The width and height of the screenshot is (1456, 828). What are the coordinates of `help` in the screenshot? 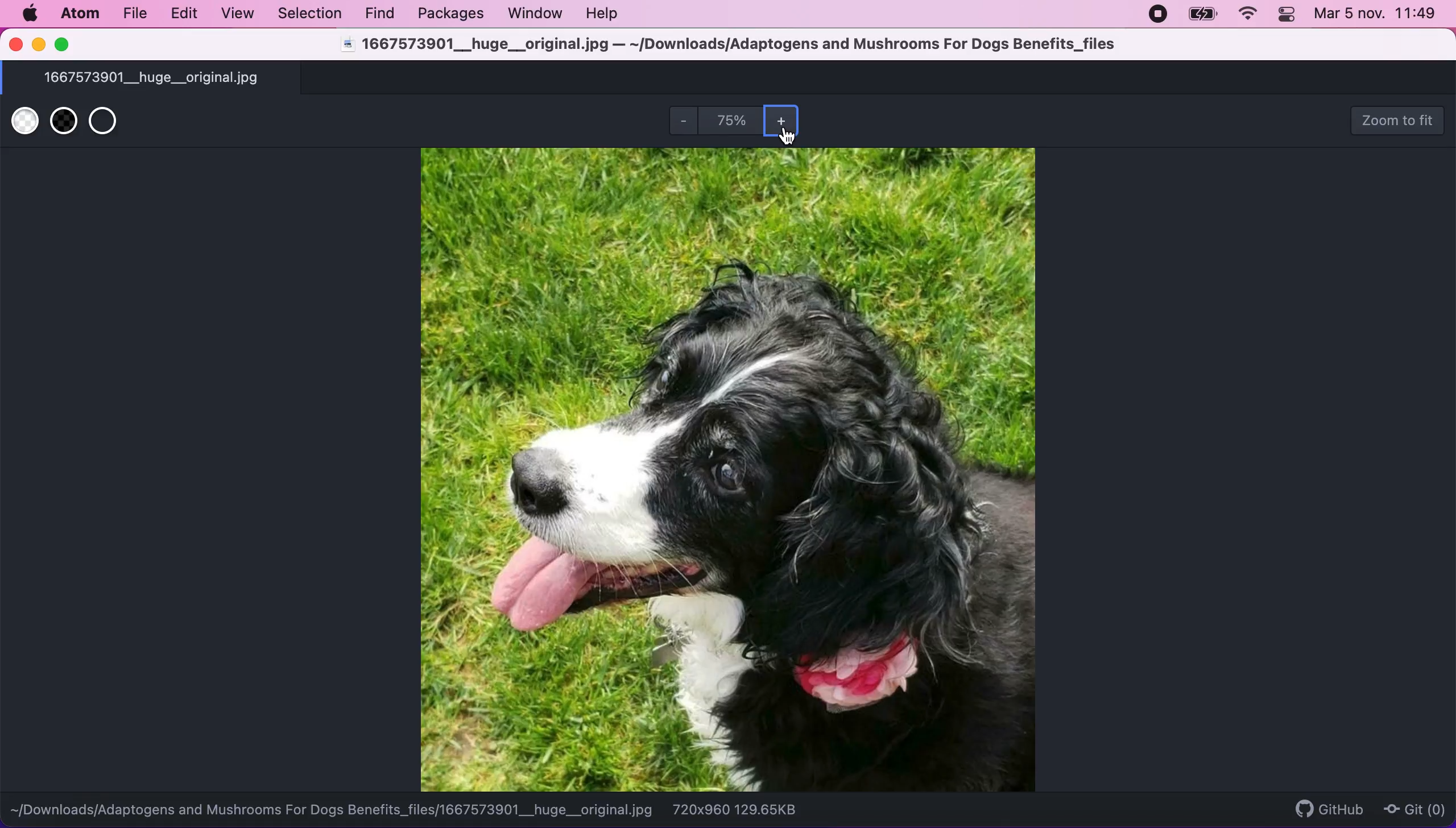 It's located at (607, 15).